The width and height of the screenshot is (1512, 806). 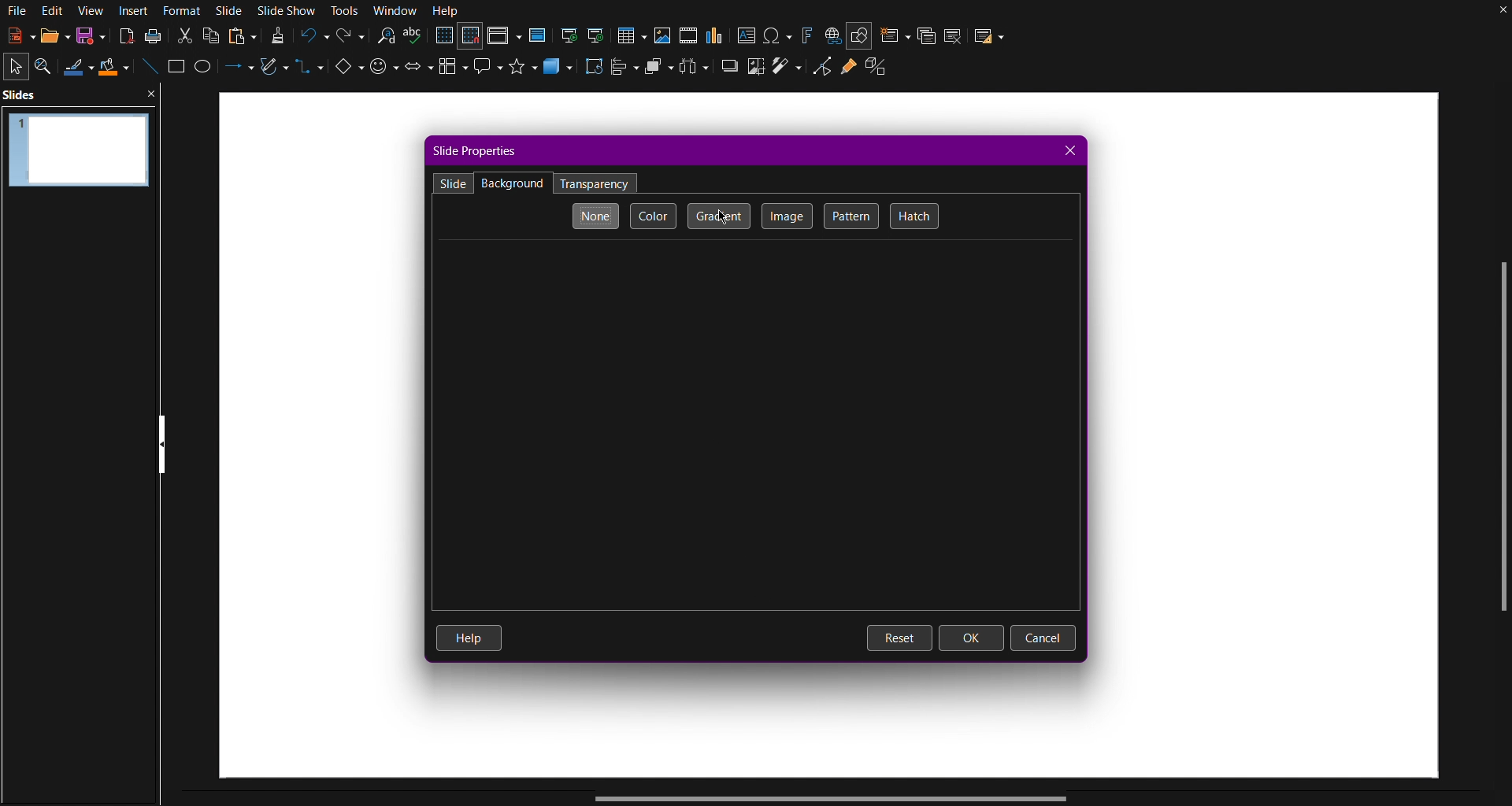 I want to click on Format, so click(x=186, y=10).